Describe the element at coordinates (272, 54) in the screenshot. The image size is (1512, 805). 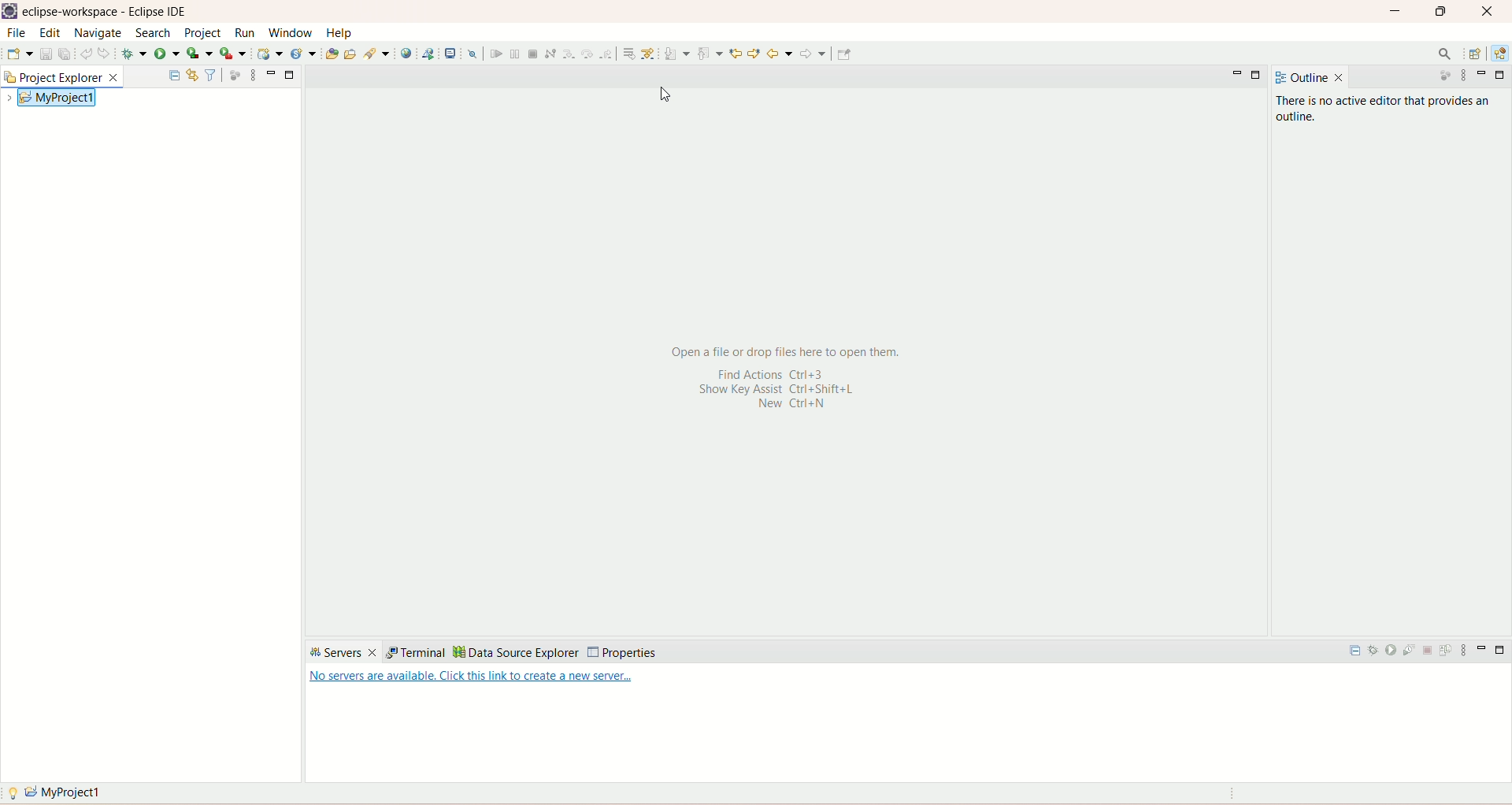
I see `create a dynamic web service` at that location.